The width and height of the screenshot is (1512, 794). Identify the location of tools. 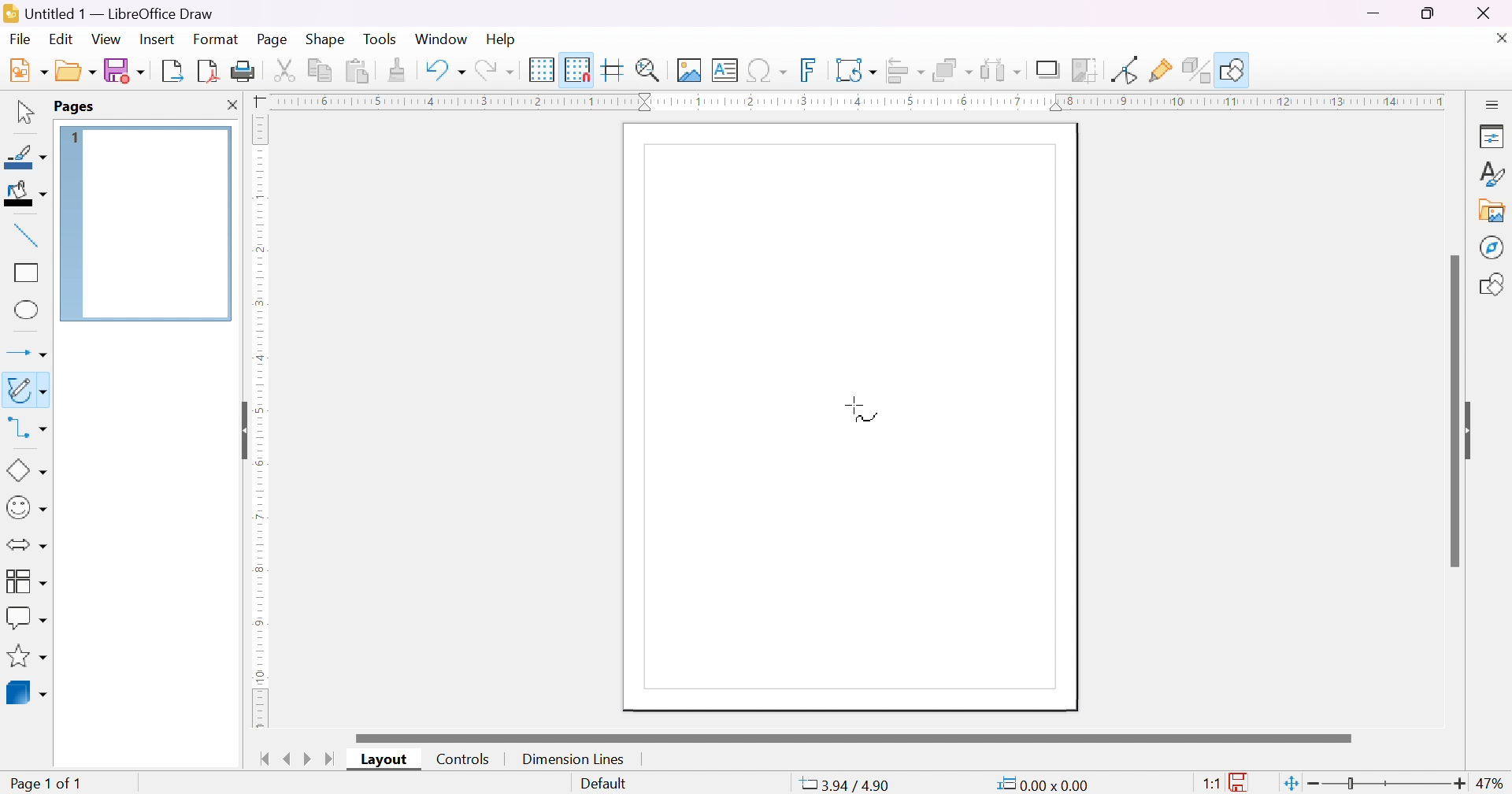
(382, 38).